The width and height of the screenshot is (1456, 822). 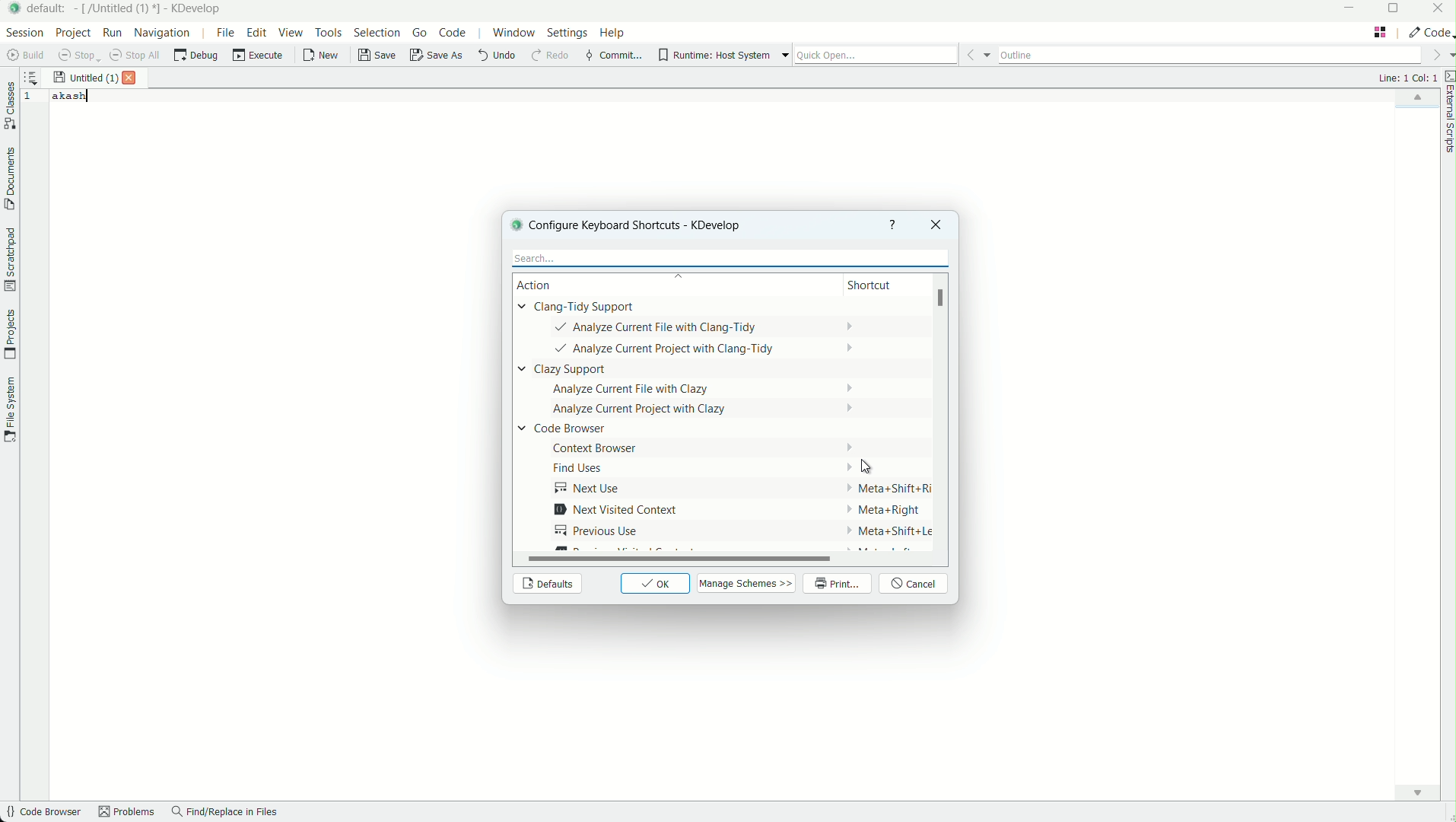 I want to click on sort the opened documents, so click(x=31, y=75).